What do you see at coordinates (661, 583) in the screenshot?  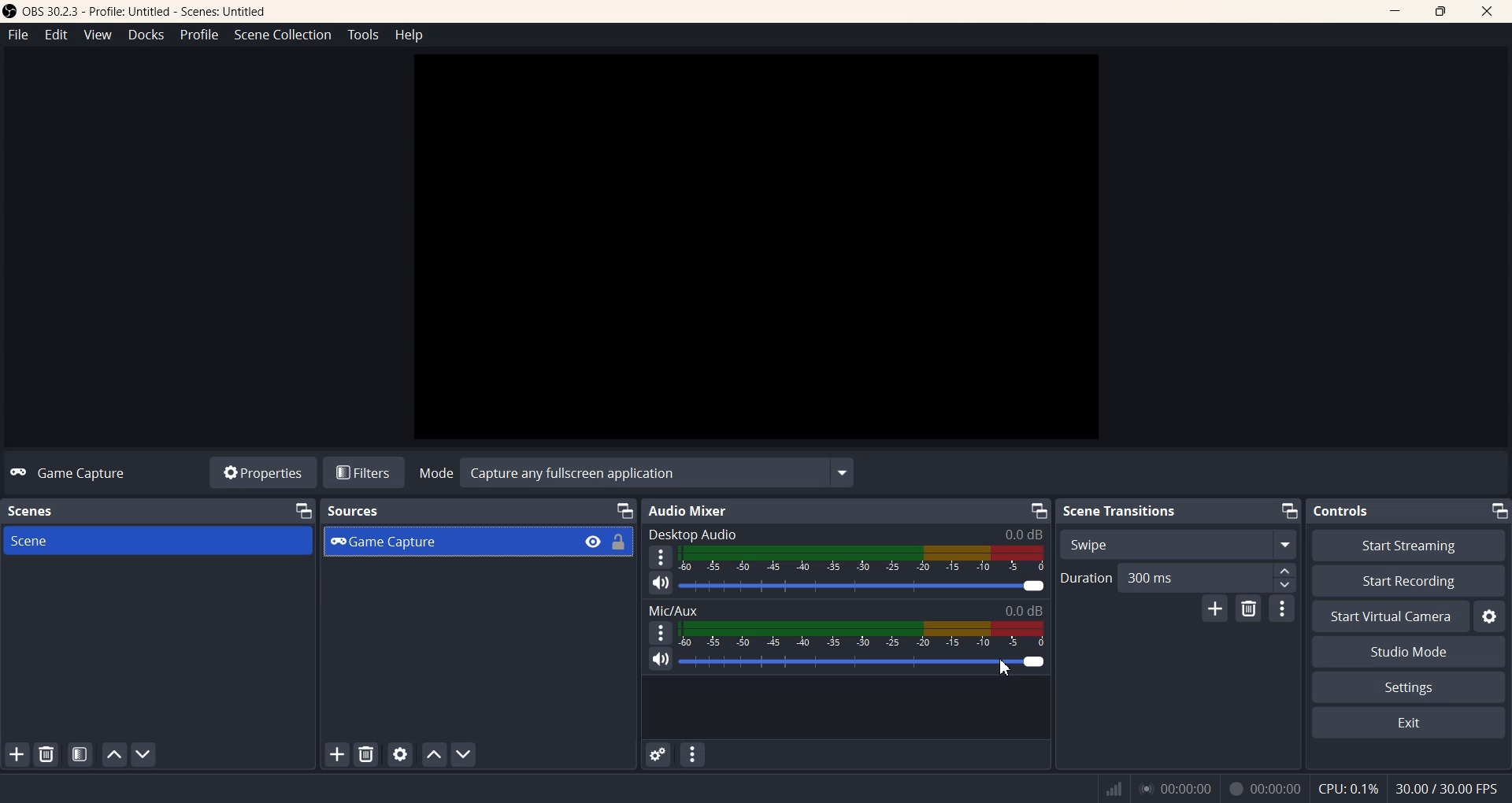 I see `Mute/ Unmute` at bounding box center [661, 583].